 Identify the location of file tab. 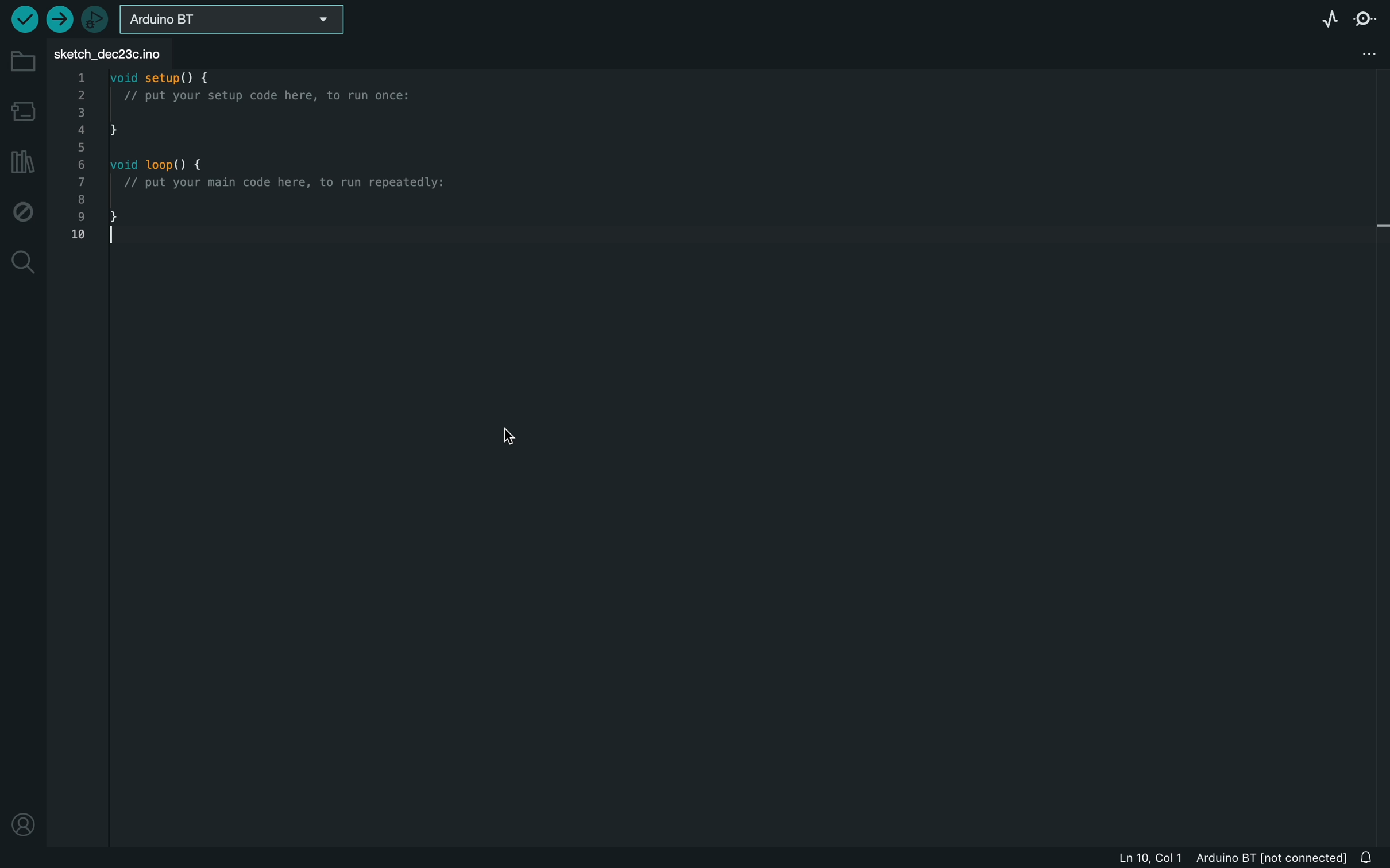
(118, 53).